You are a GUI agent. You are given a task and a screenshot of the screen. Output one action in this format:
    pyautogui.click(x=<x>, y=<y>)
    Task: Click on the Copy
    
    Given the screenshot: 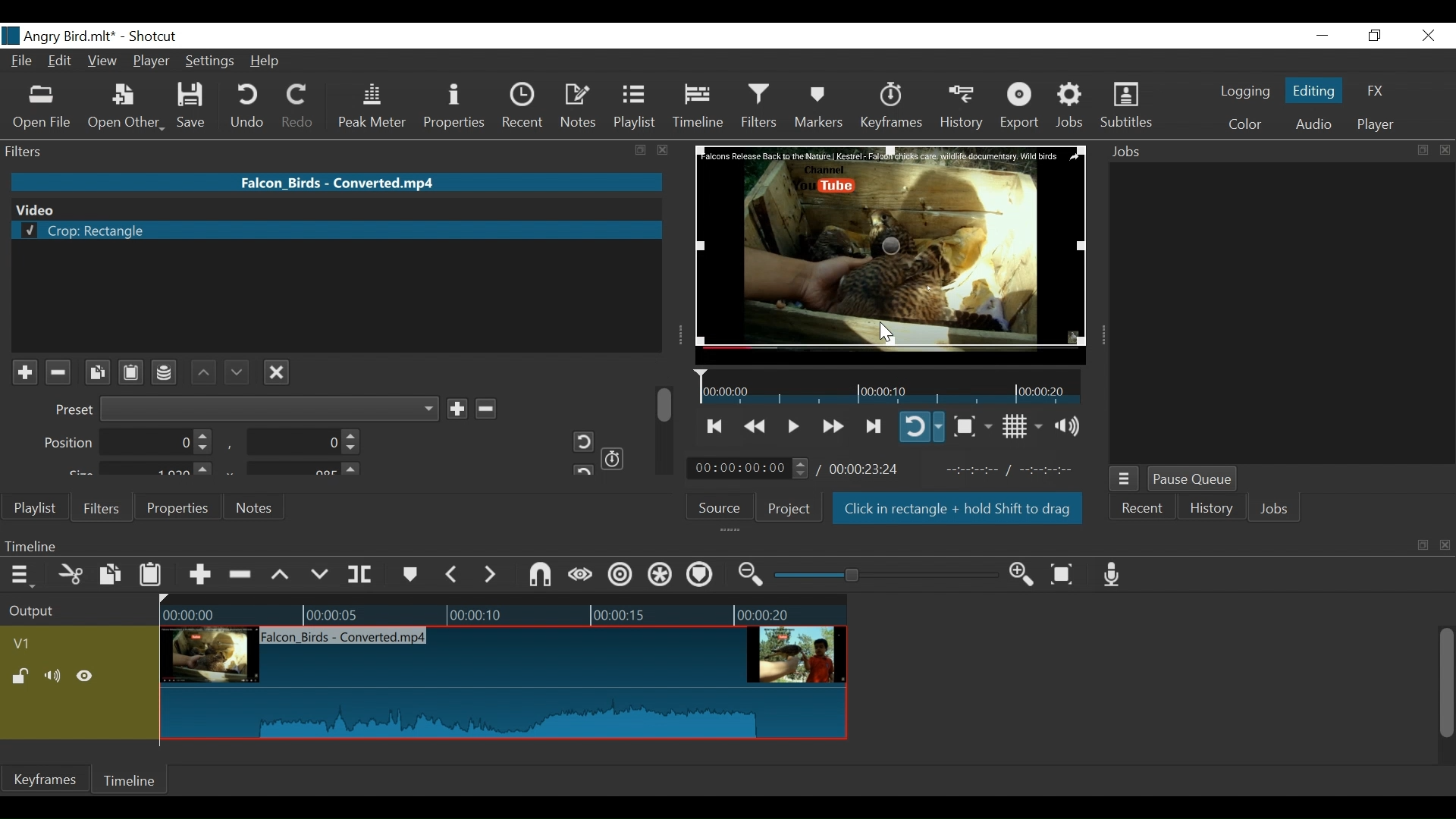 What is the action you would take?
    pyautogui.click(x=112, y=577)
    